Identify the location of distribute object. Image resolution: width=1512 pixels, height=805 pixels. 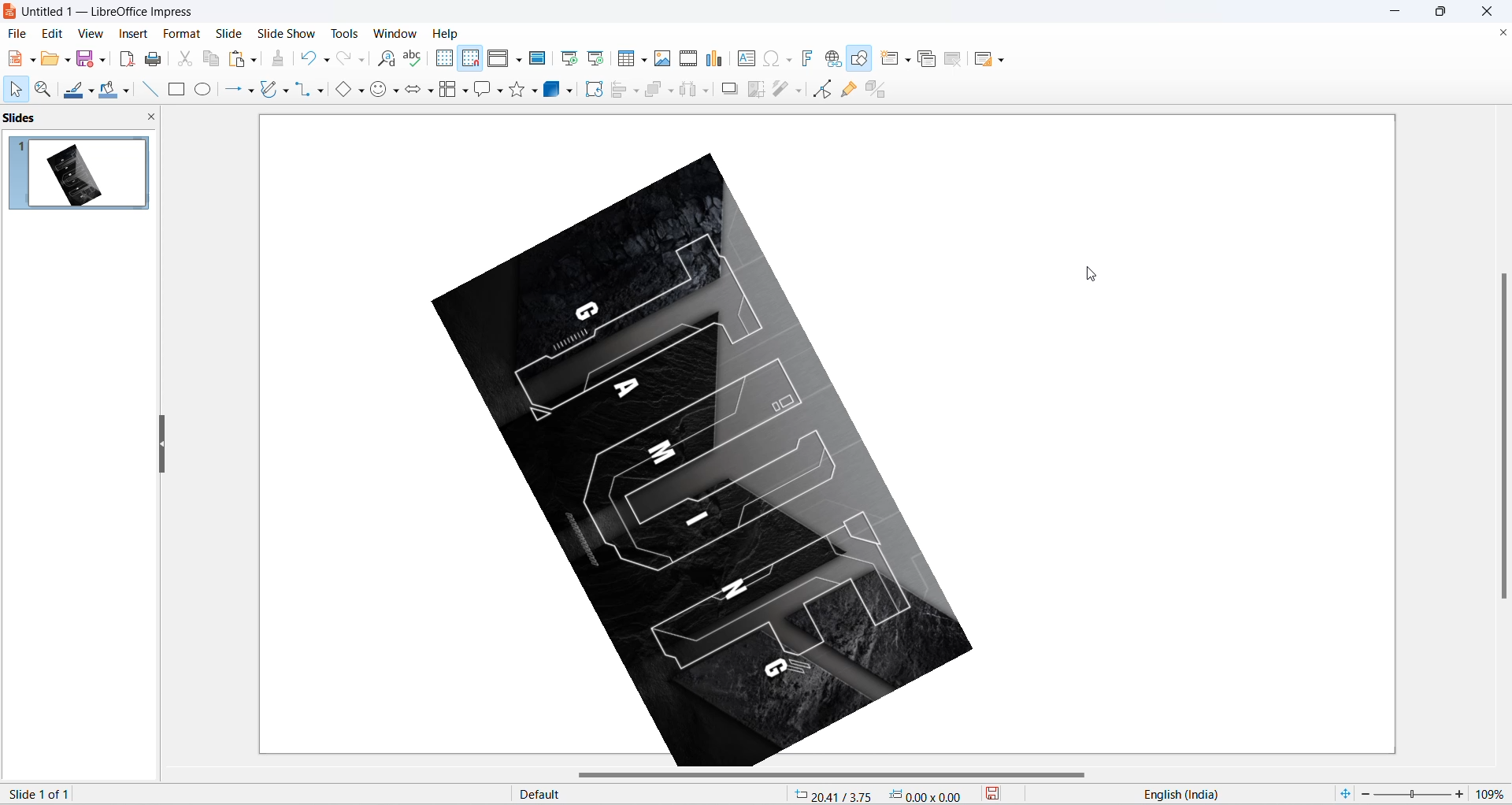
(710, 92).